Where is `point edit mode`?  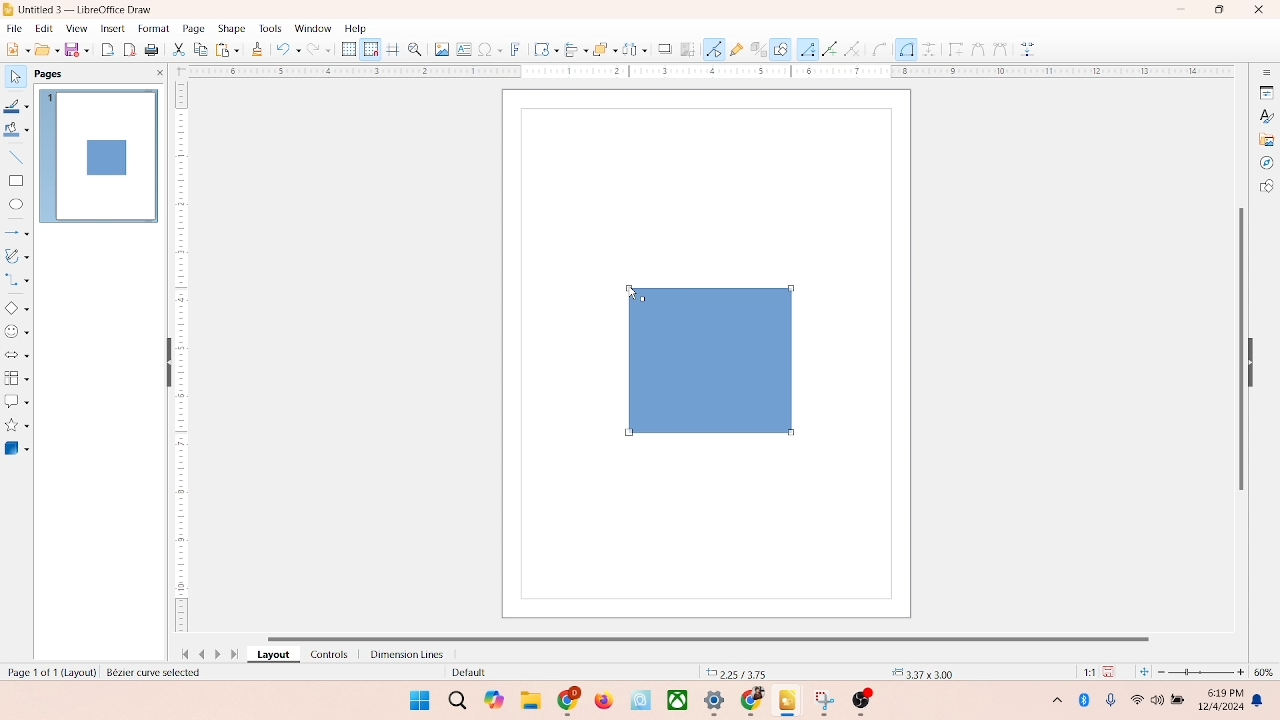
point edit mode is located at coordinates (714, 48).